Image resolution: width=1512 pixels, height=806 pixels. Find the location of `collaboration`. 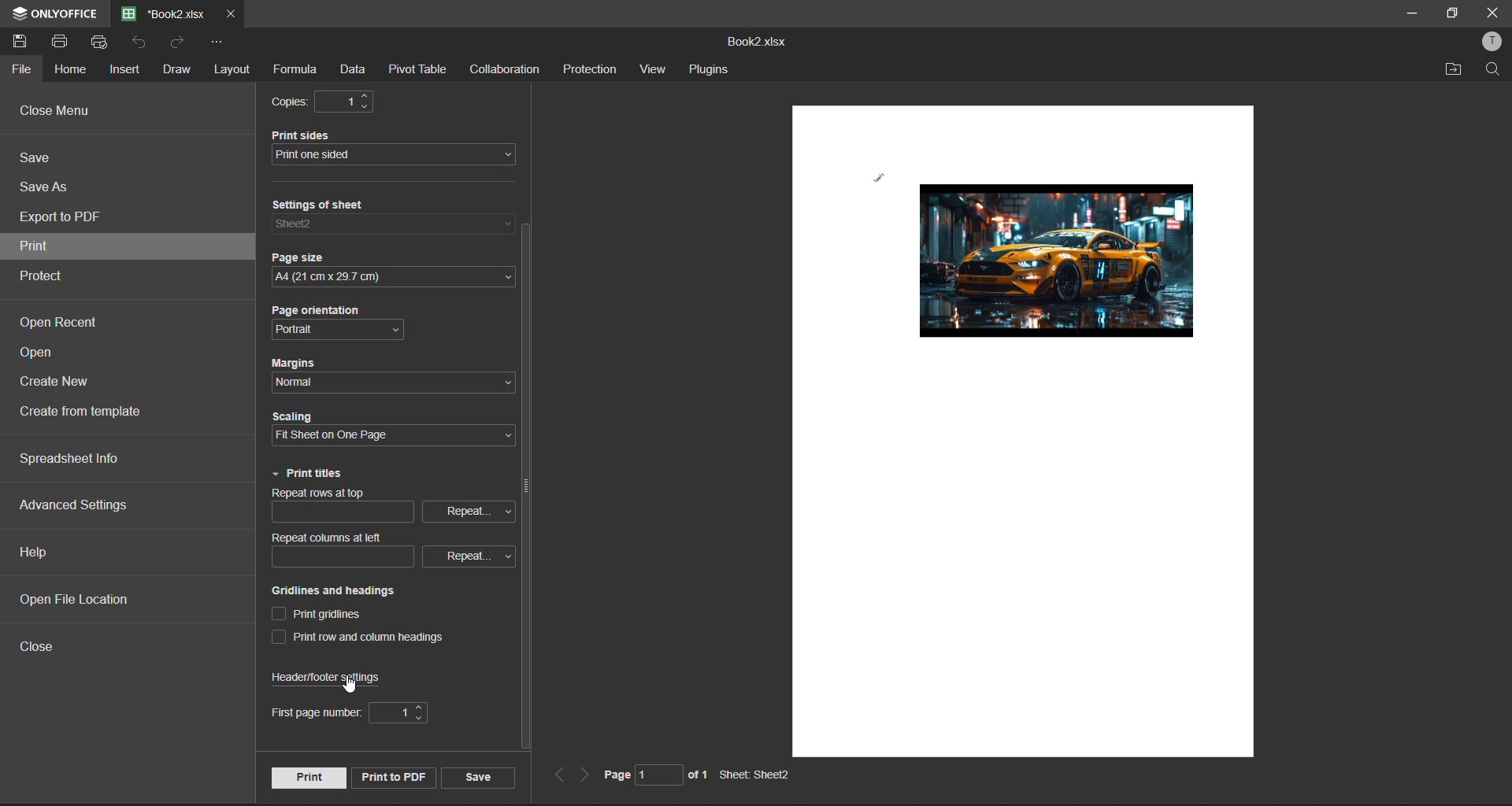

collaboration is located at coordinates (510, 69).